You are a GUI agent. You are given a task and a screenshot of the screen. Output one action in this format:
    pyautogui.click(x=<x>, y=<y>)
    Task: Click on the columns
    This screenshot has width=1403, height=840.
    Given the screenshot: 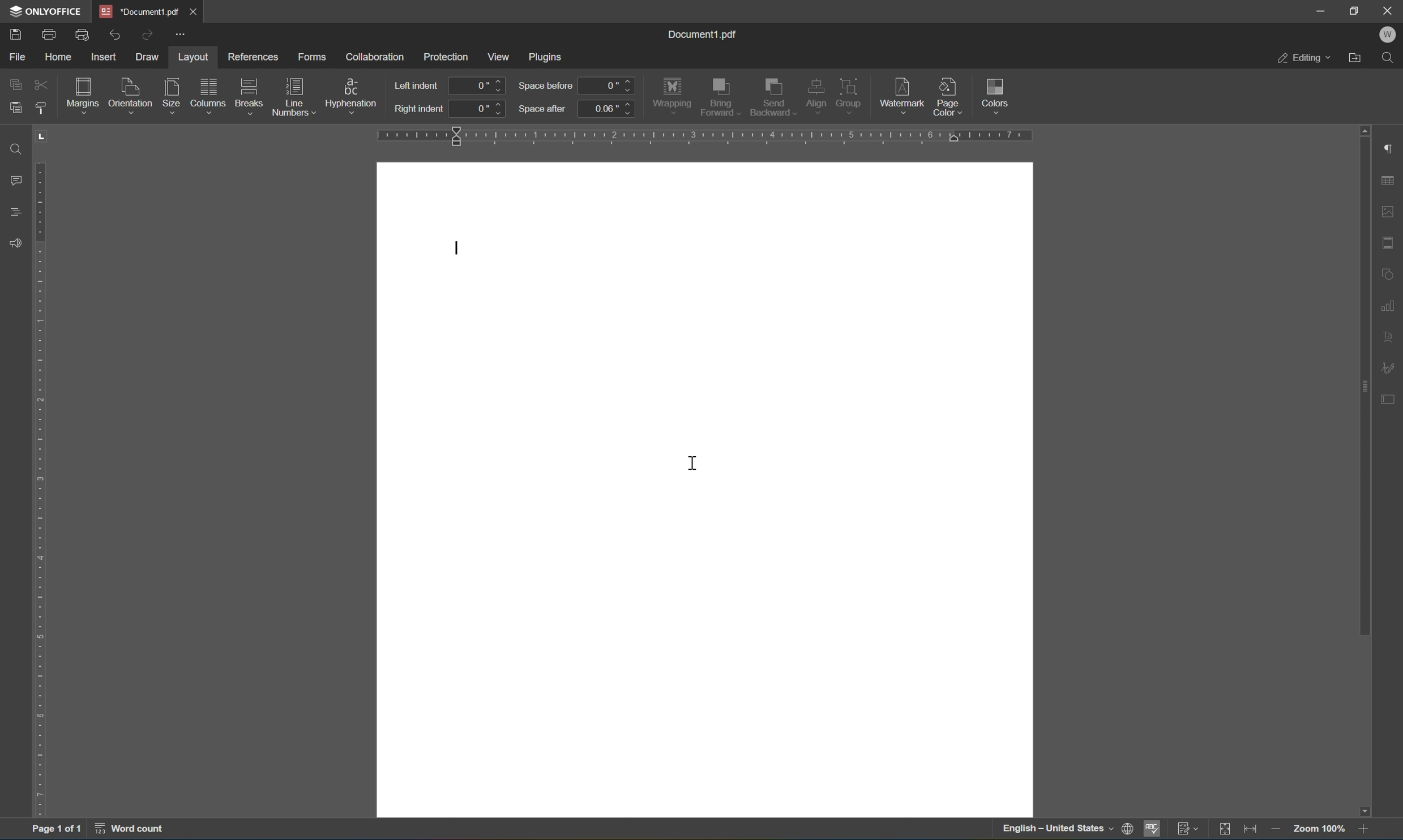 What is the action you would take?
    pyautogui.click(x=207, y=90)
    